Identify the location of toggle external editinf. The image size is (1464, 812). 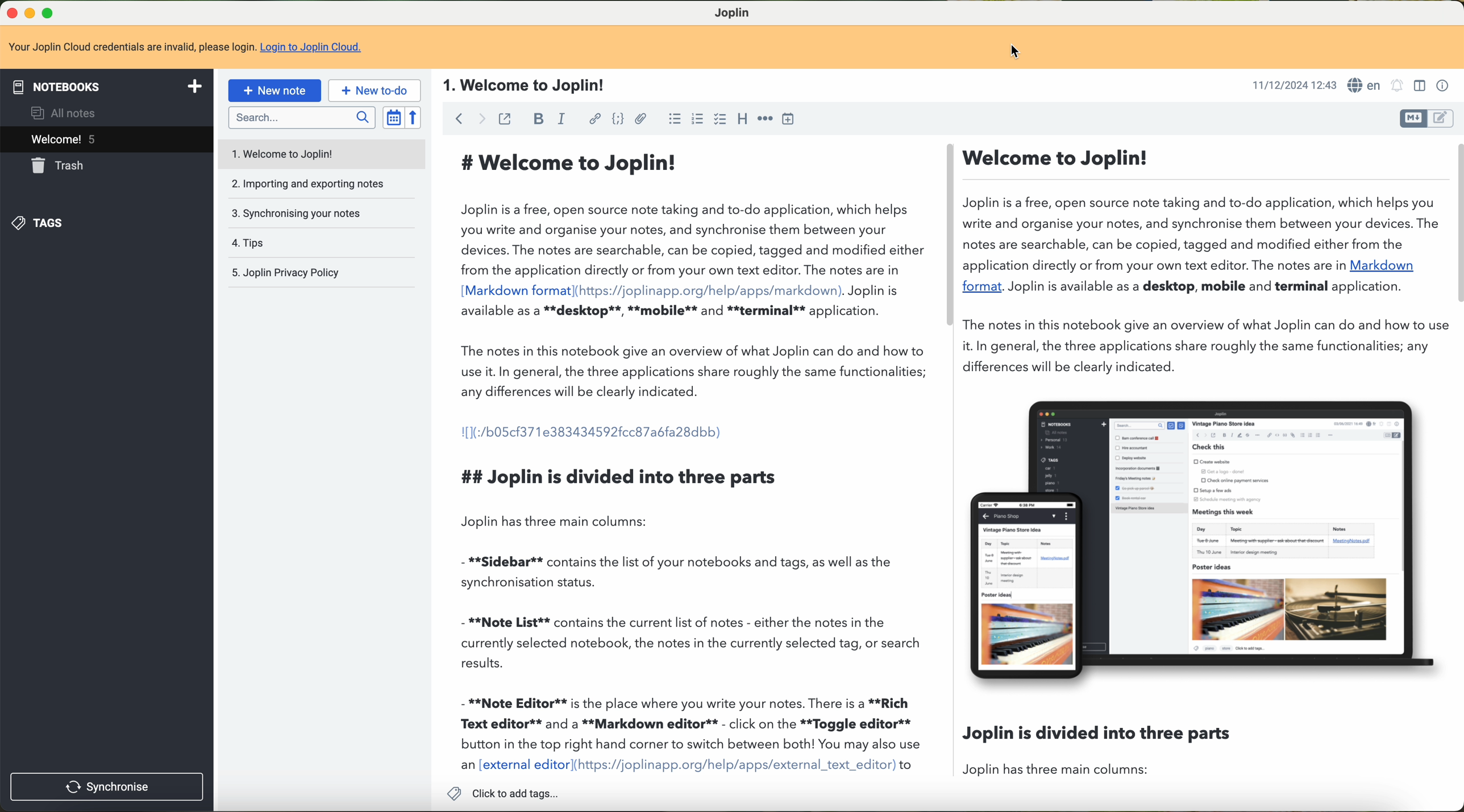
(504, 119).